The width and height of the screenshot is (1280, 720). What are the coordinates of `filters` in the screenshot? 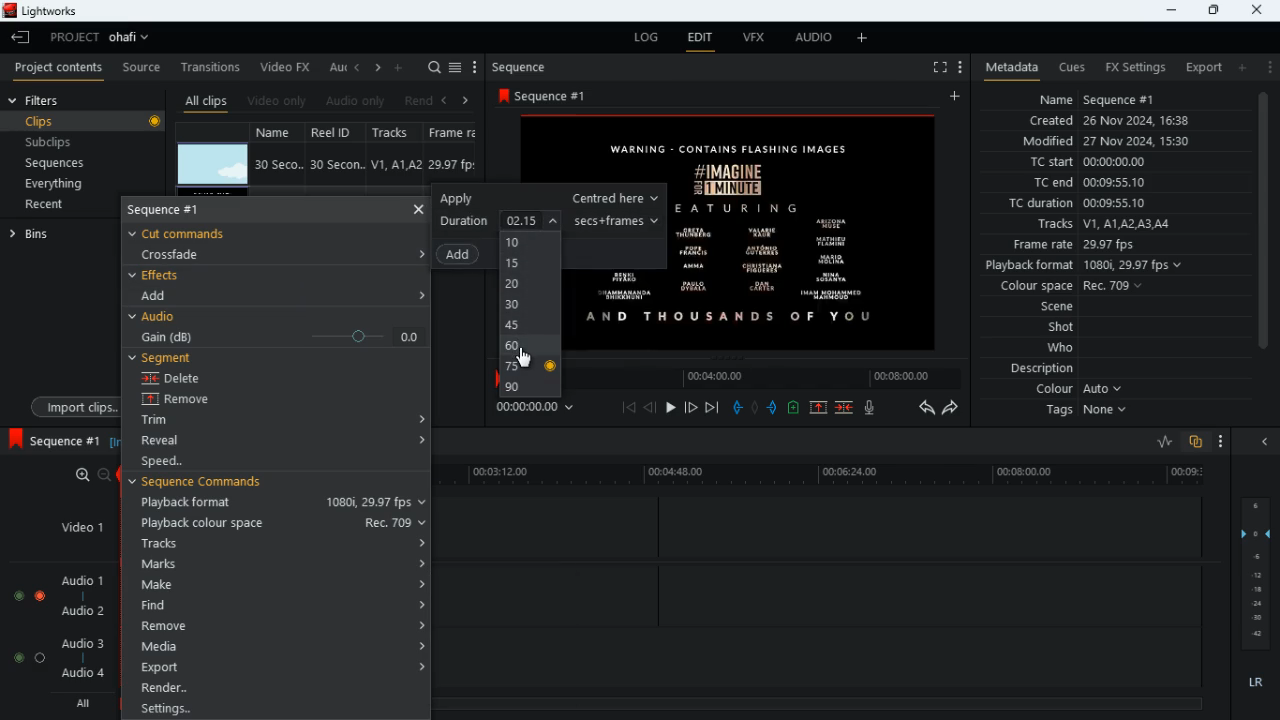 It's located at (38, 100).